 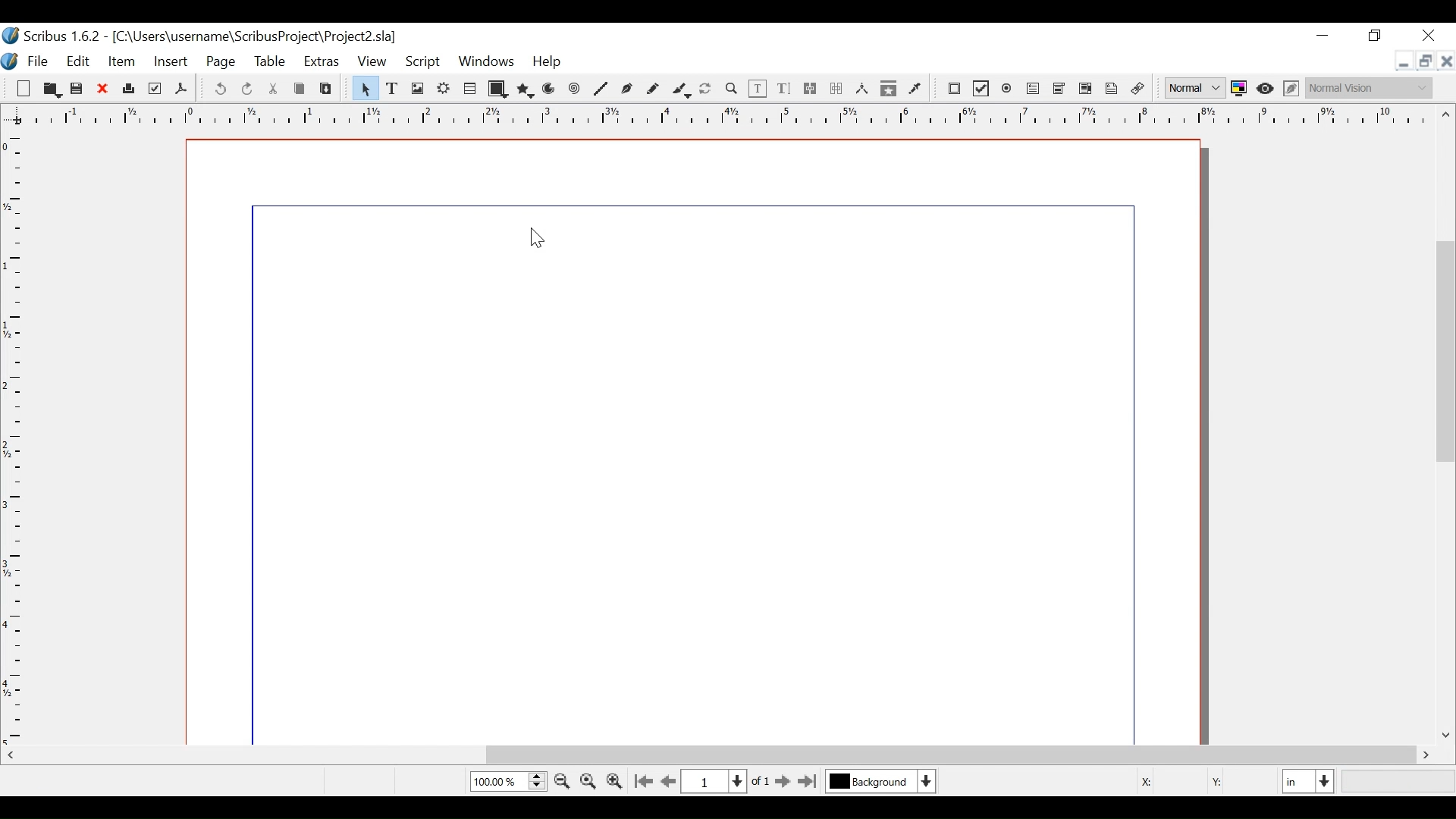 What do you see at coordinates (600, 89) in the screenshot?
I see `Line` at bounding box center [600, 89].